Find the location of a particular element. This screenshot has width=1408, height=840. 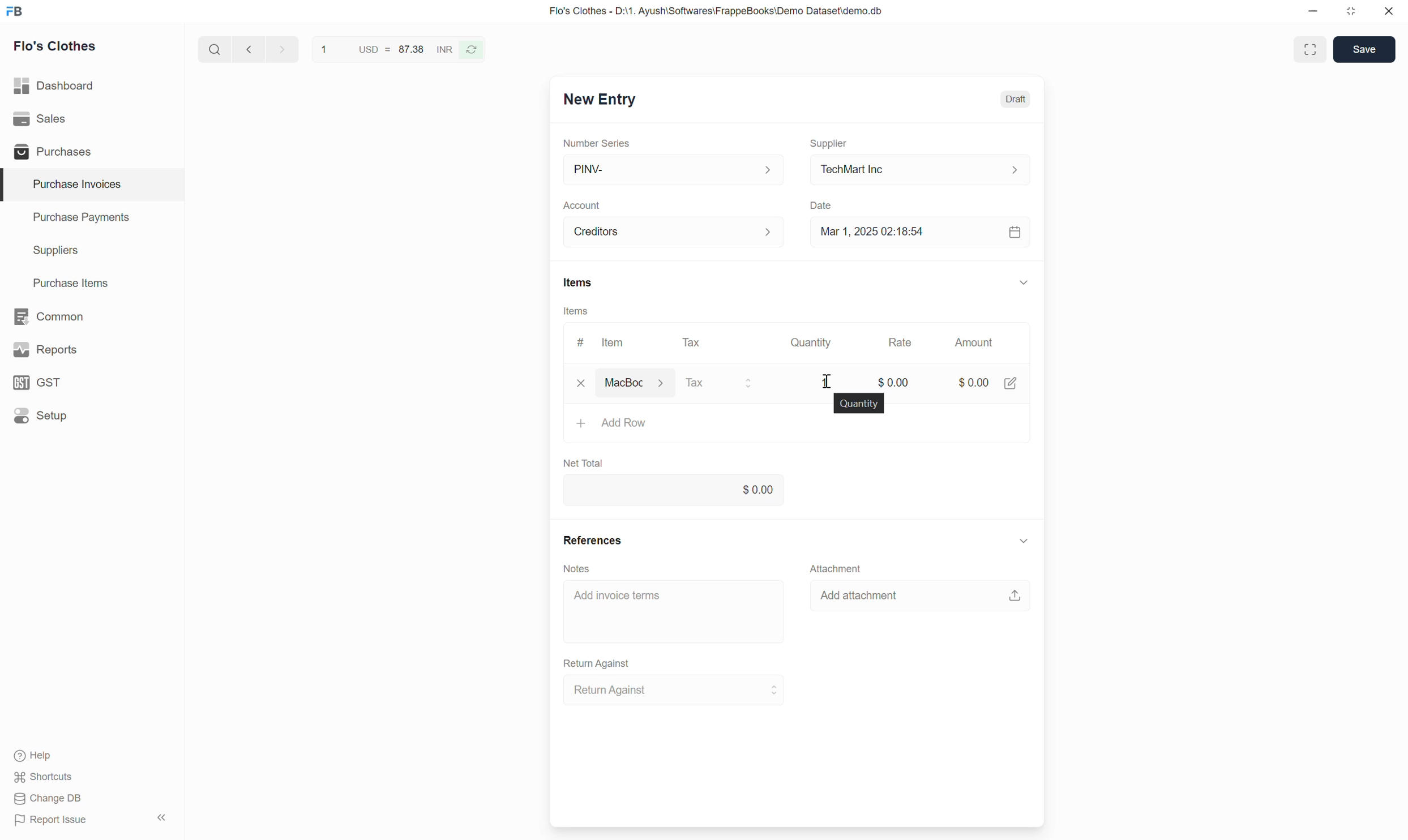

Rate is located at coordinates (900, 342).